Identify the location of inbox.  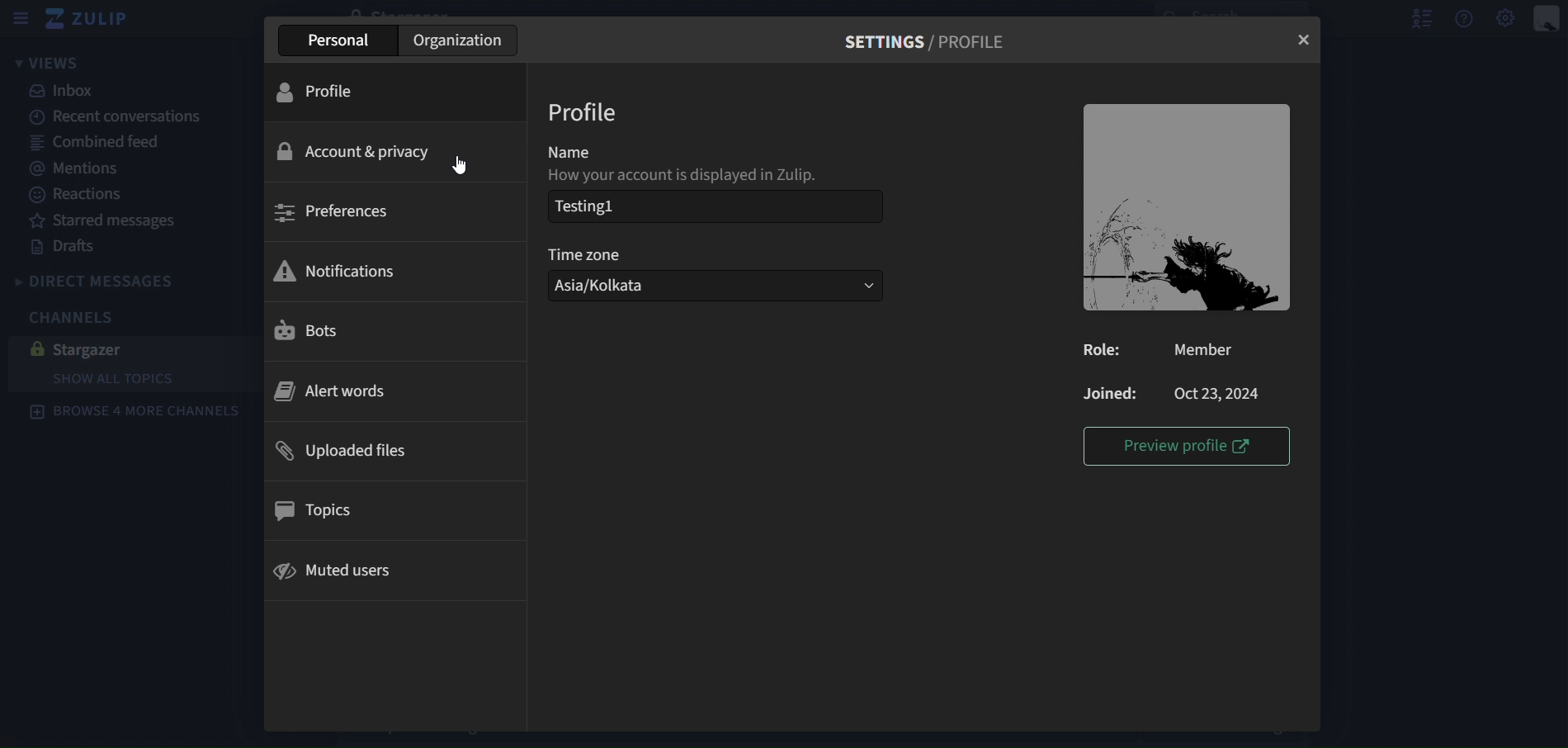
(65, 93).